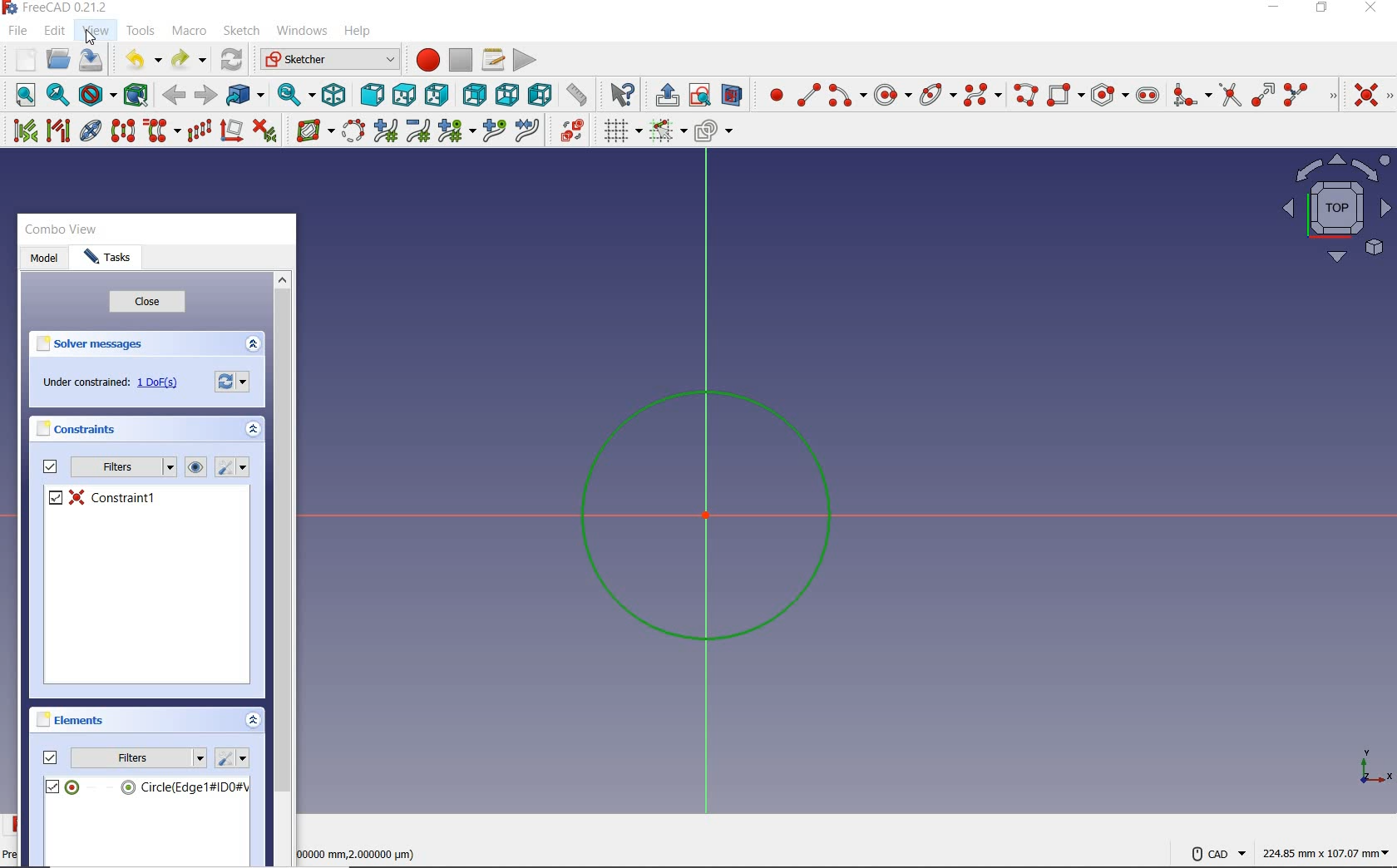 This screenshot has height=868, width=1397. Describe the element at coordinates (576, 96) in the screenshot. I see `measurement` at that location.